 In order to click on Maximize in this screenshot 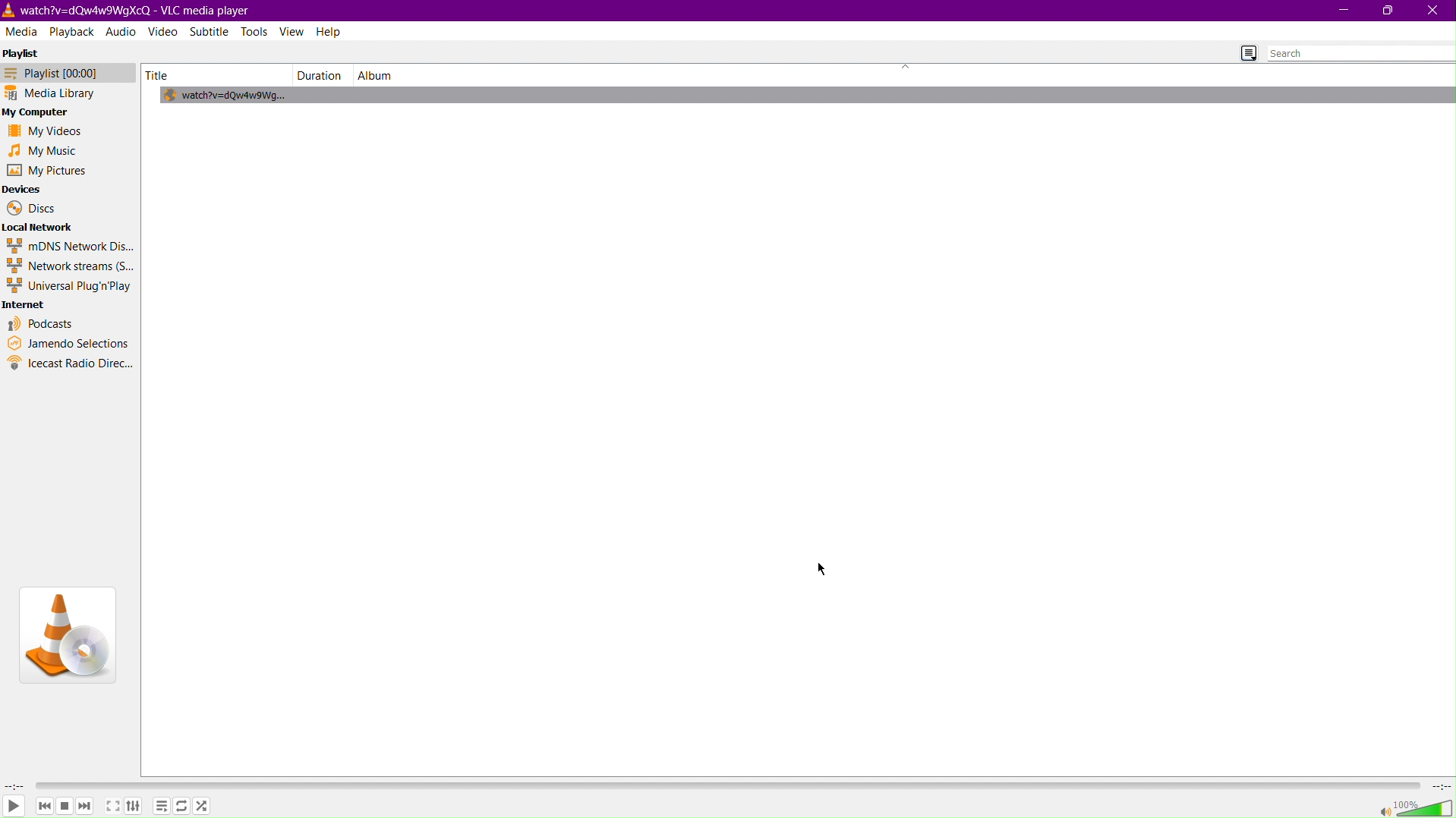, I will do `click(1387, 11)`.